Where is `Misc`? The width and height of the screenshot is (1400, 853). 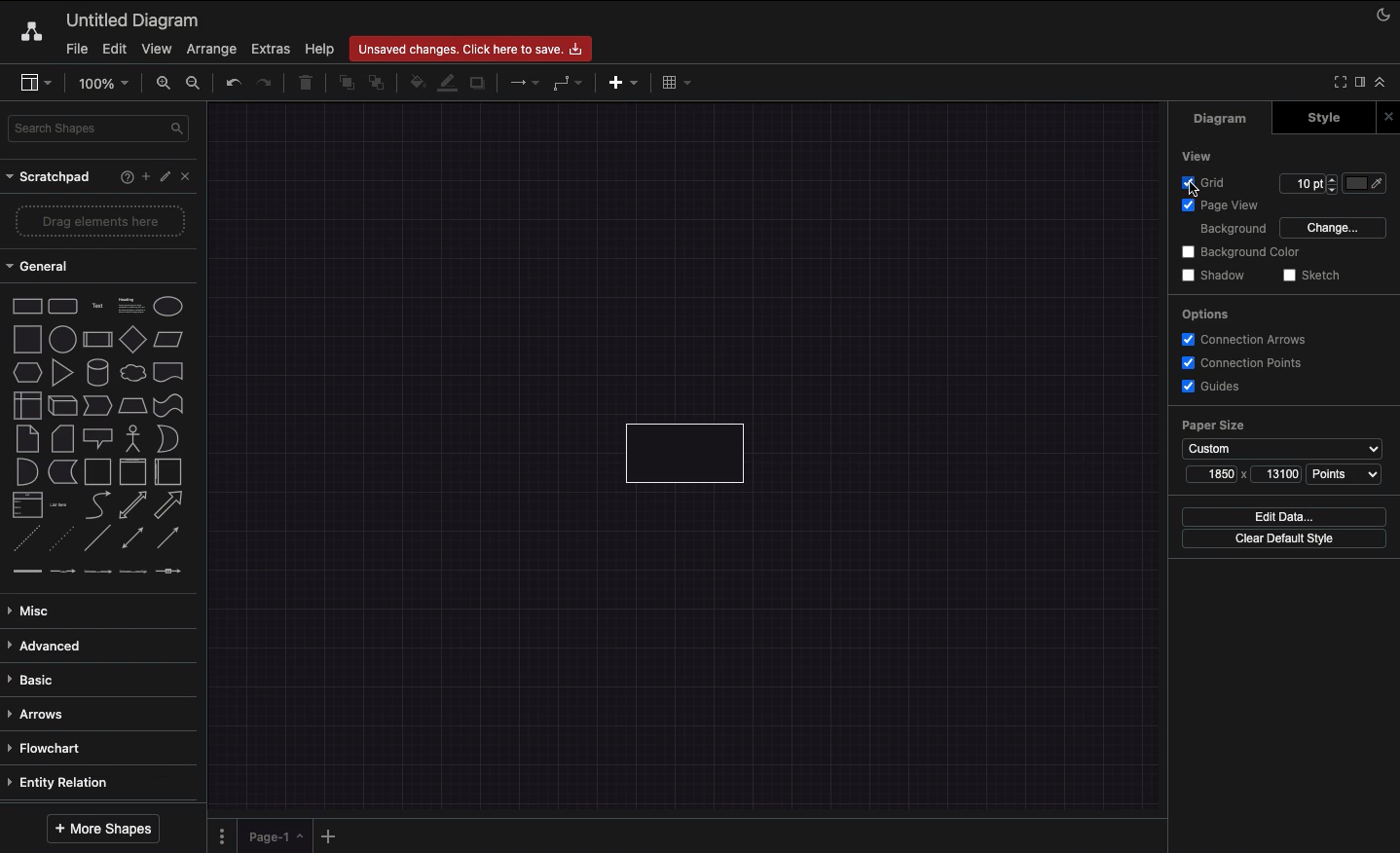 Misc is located at coordinates (29, 610).